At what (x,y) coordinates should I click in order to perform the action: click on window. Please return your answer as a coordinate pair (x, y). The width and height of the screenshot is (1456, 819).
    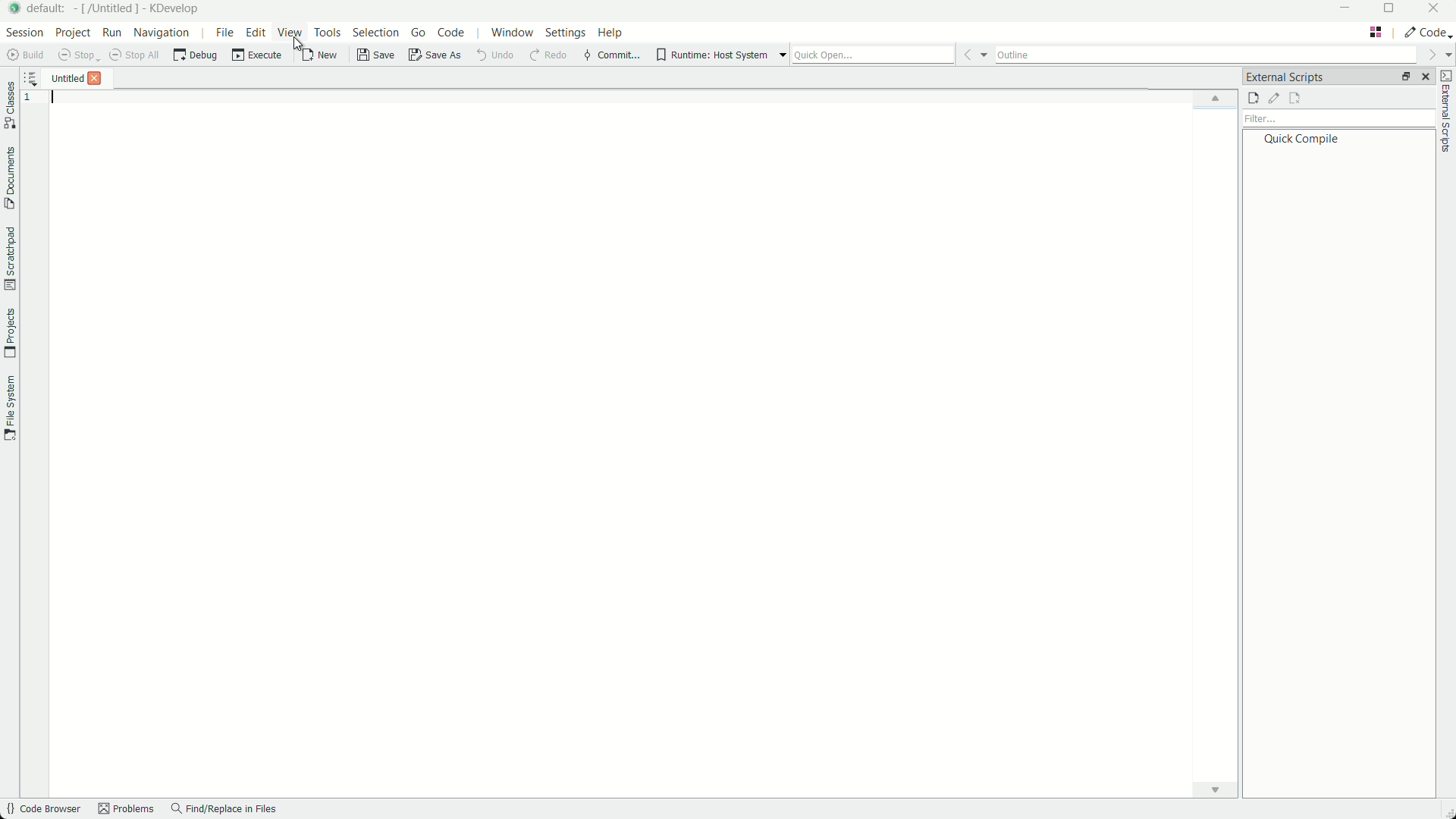
    Looking at the image, I should click on (515, 35).